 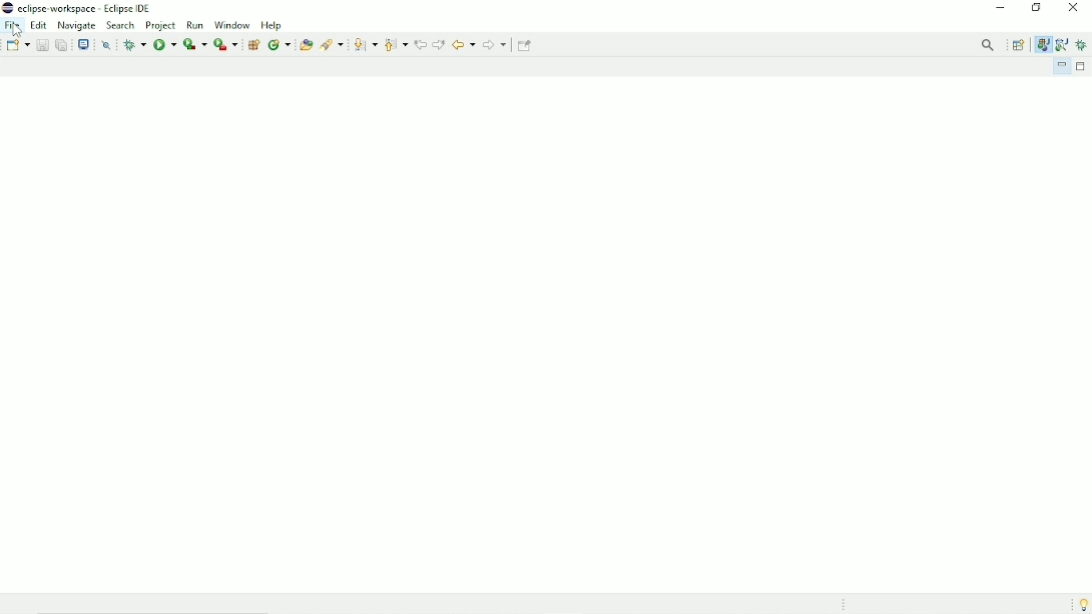 What do you see at coordinates (165, 44) in the screenshot?
I see `Run` at bounding box center [165, 44].